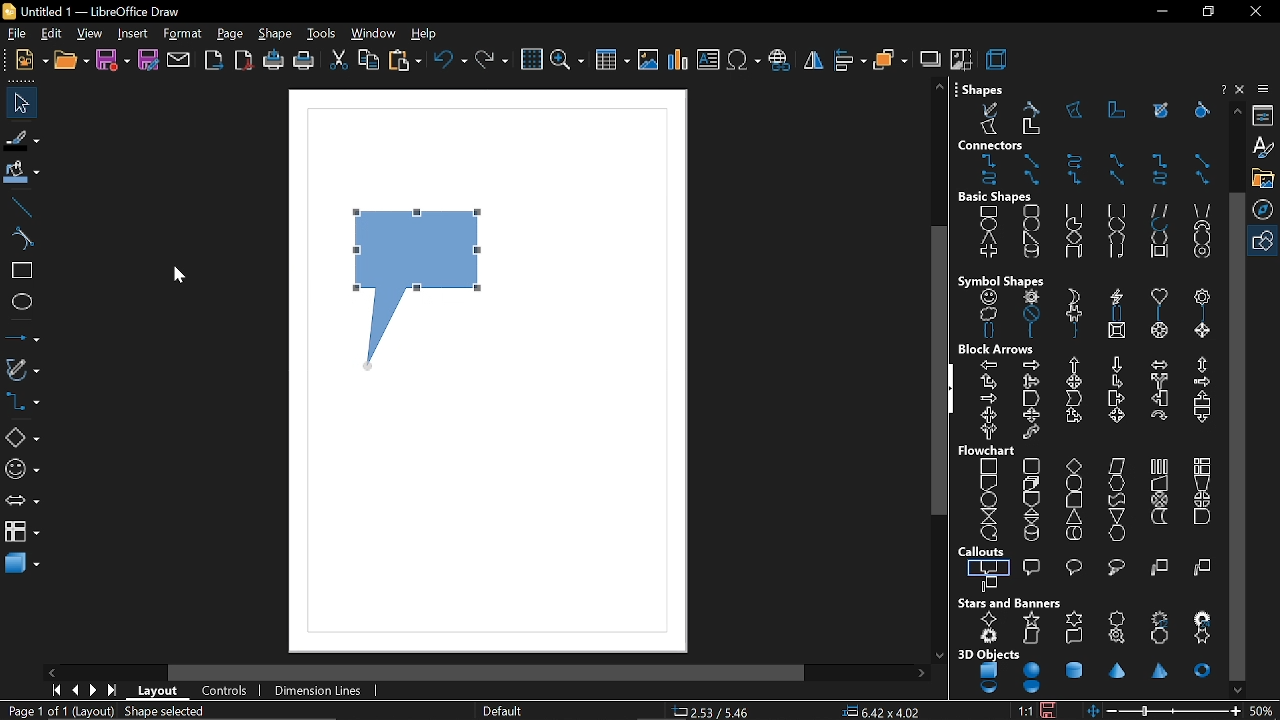  Describe the element at coordinates (1074, 224) in the screenshot. I see `circle pie` at that location.